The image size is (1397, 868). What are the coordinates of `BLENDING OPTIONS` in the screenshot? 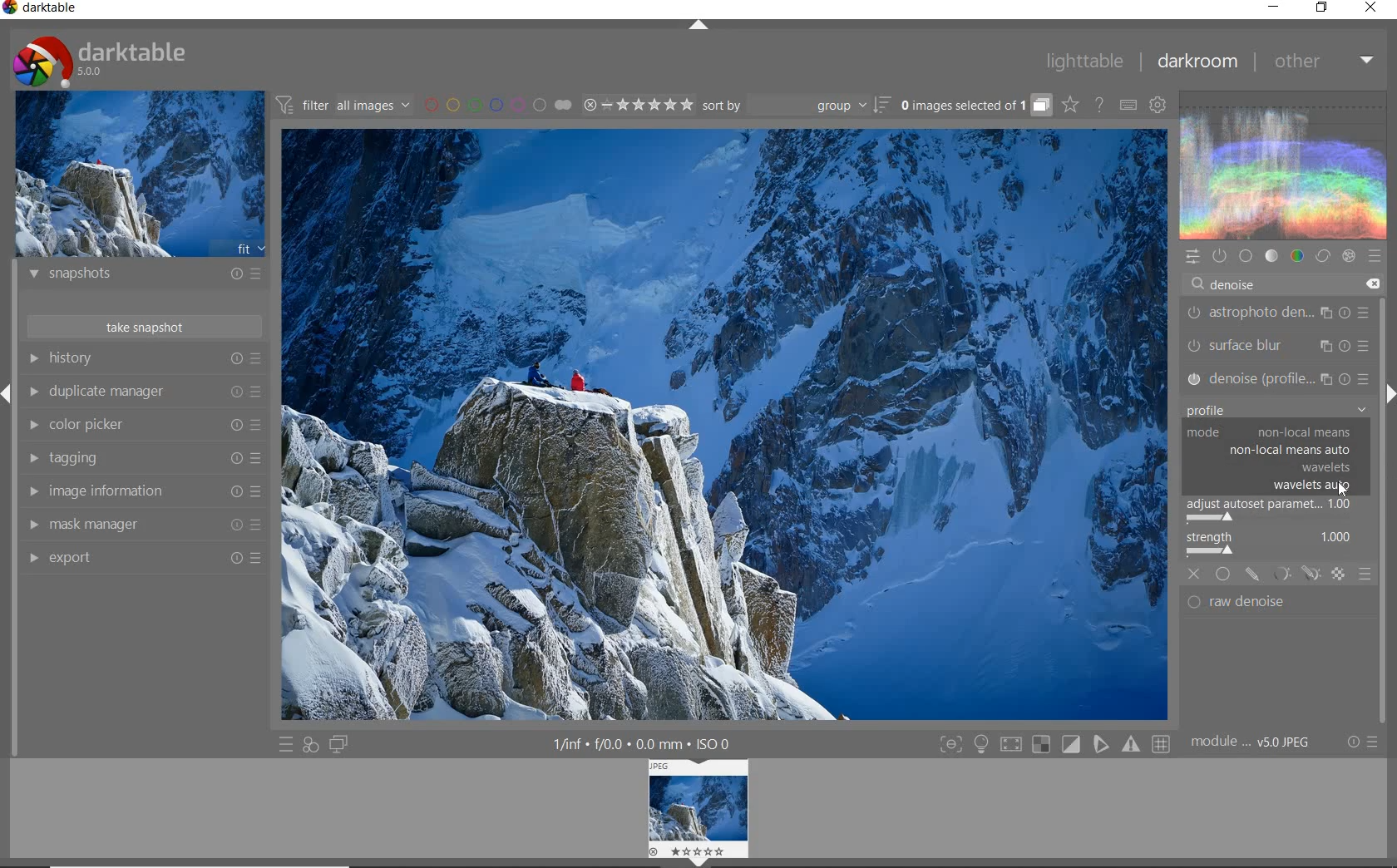 It's located at (1365, 575).